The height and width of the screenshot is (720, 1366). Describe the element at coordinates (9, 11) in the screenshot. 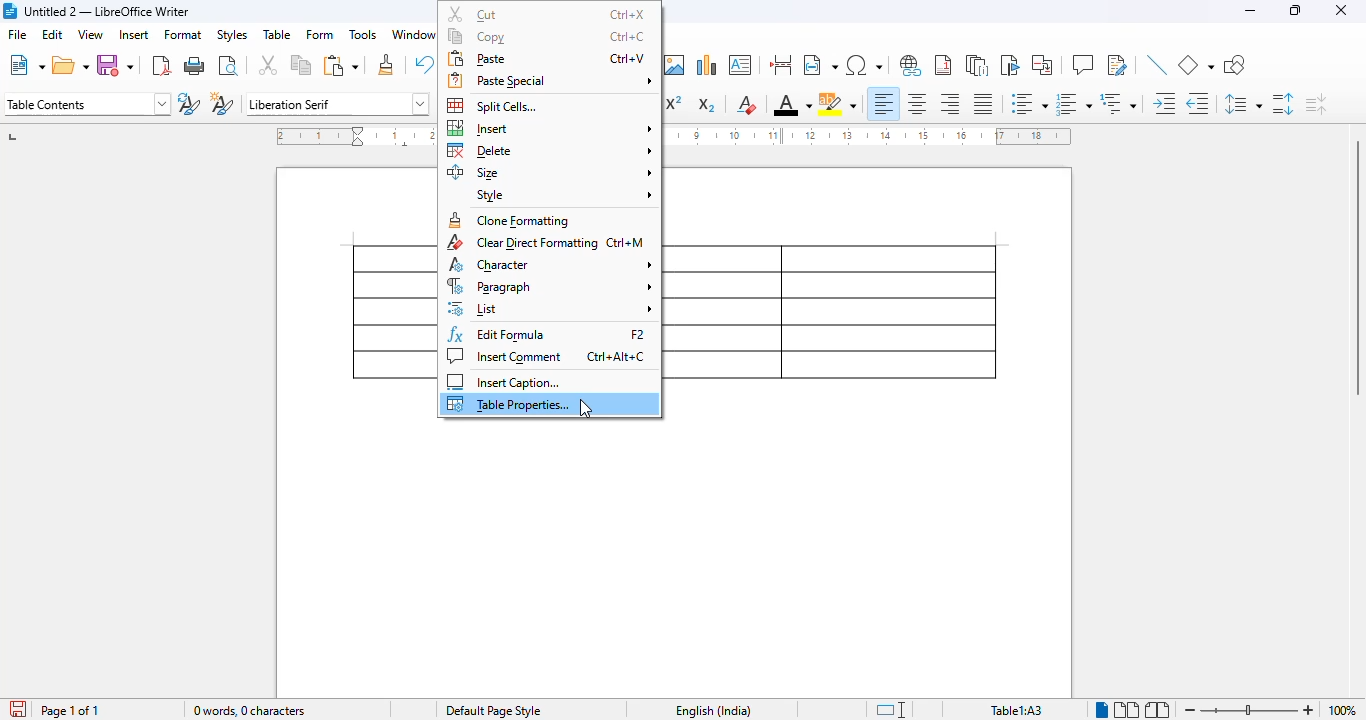

I see `logo` at that location.